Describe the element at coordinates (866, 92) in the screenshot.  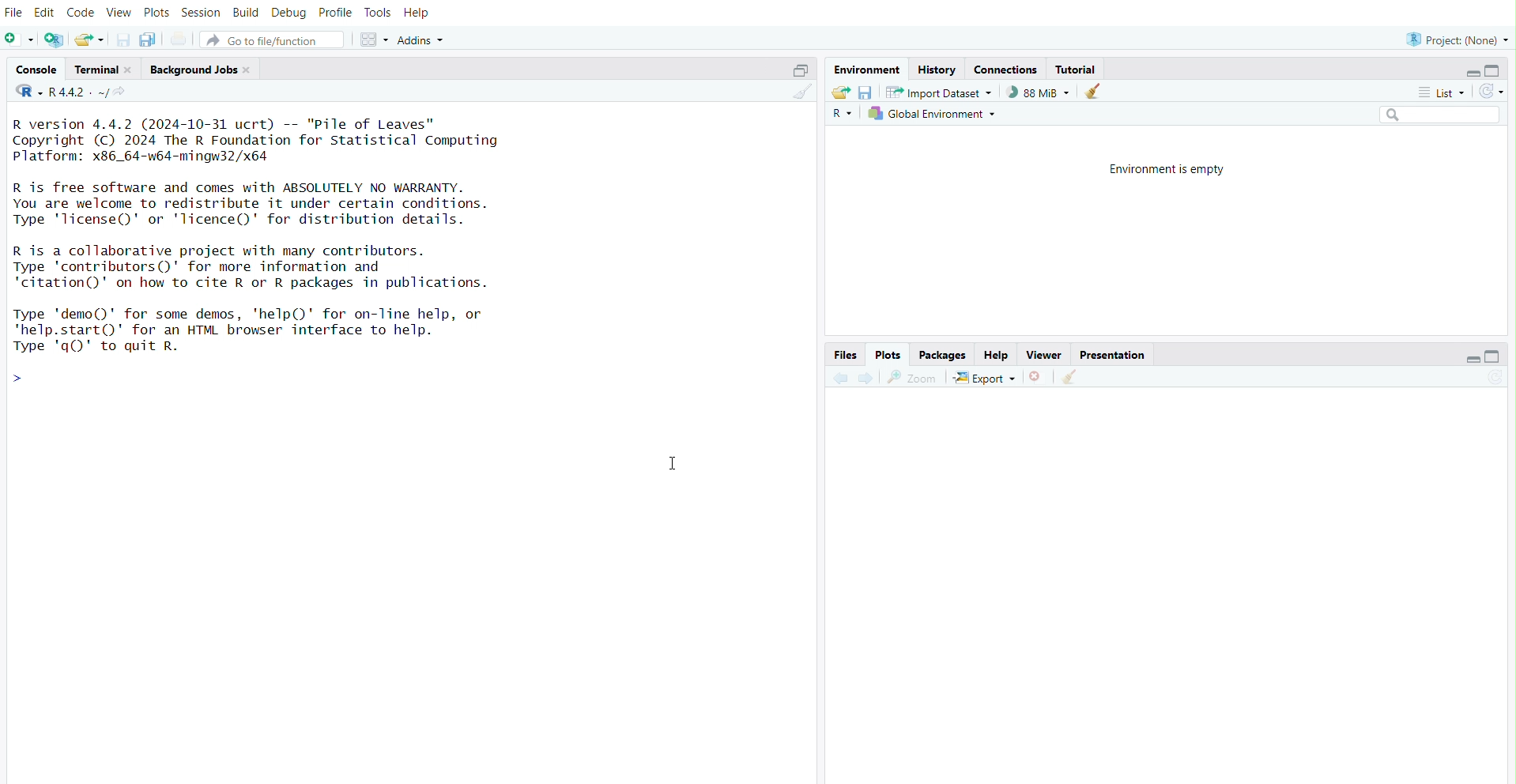
I see `save workspace as` at that location.